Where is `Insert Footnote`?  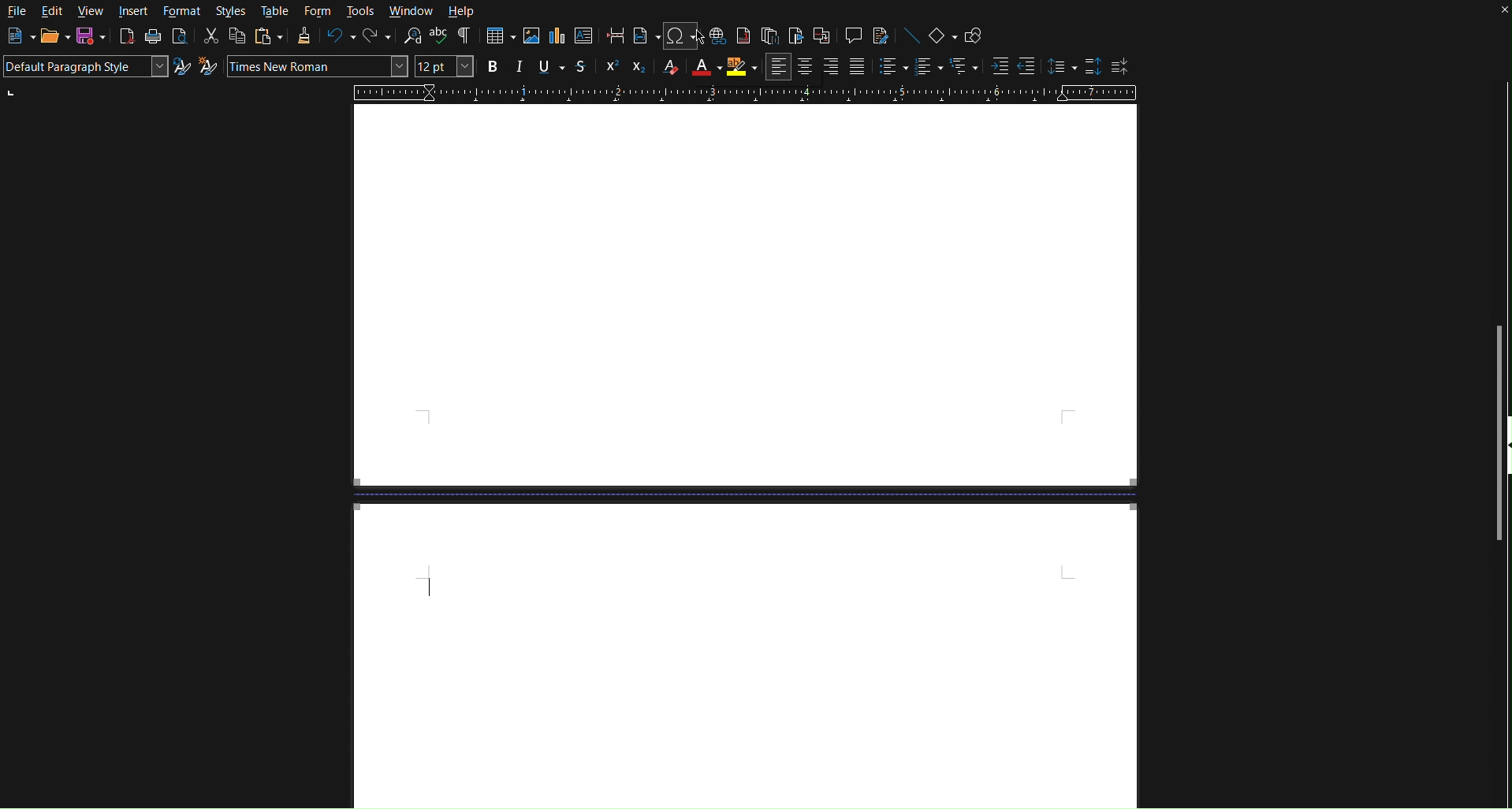
Insert Footnote is located at coordinates (743, 36).